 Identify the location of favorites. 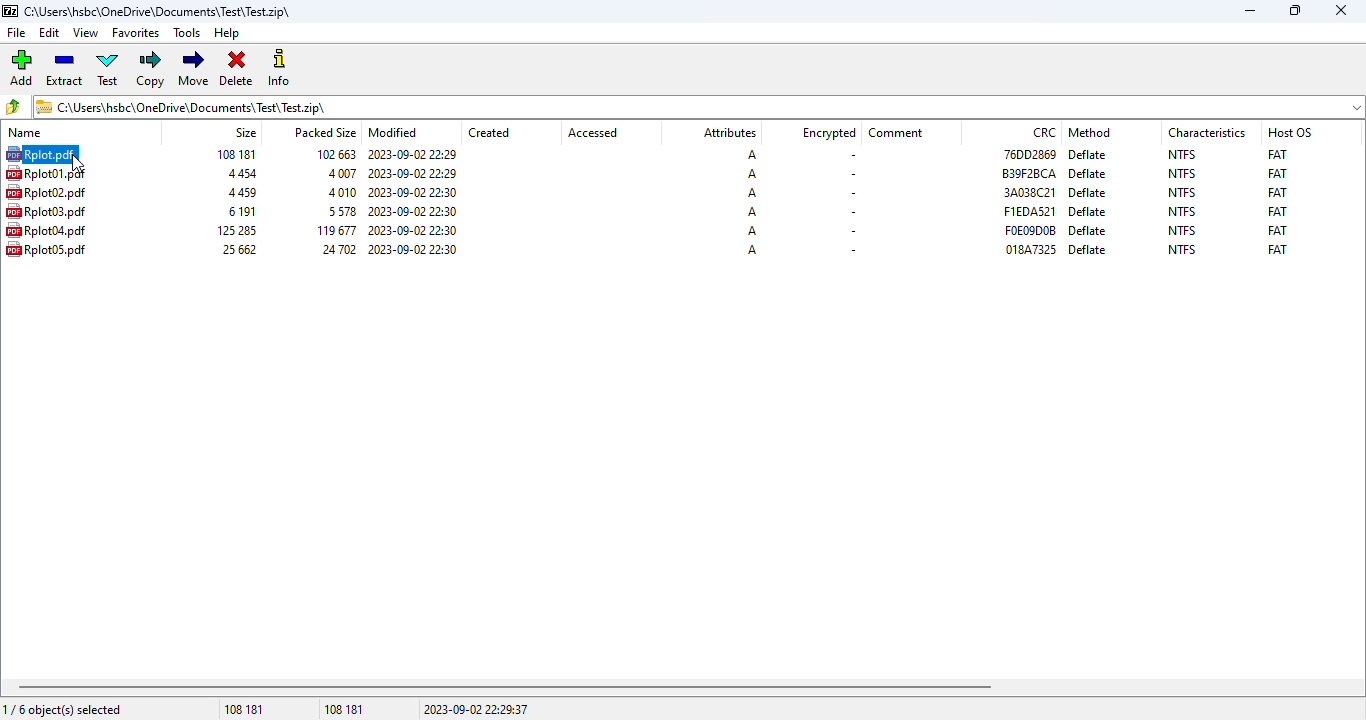
(136, 33).